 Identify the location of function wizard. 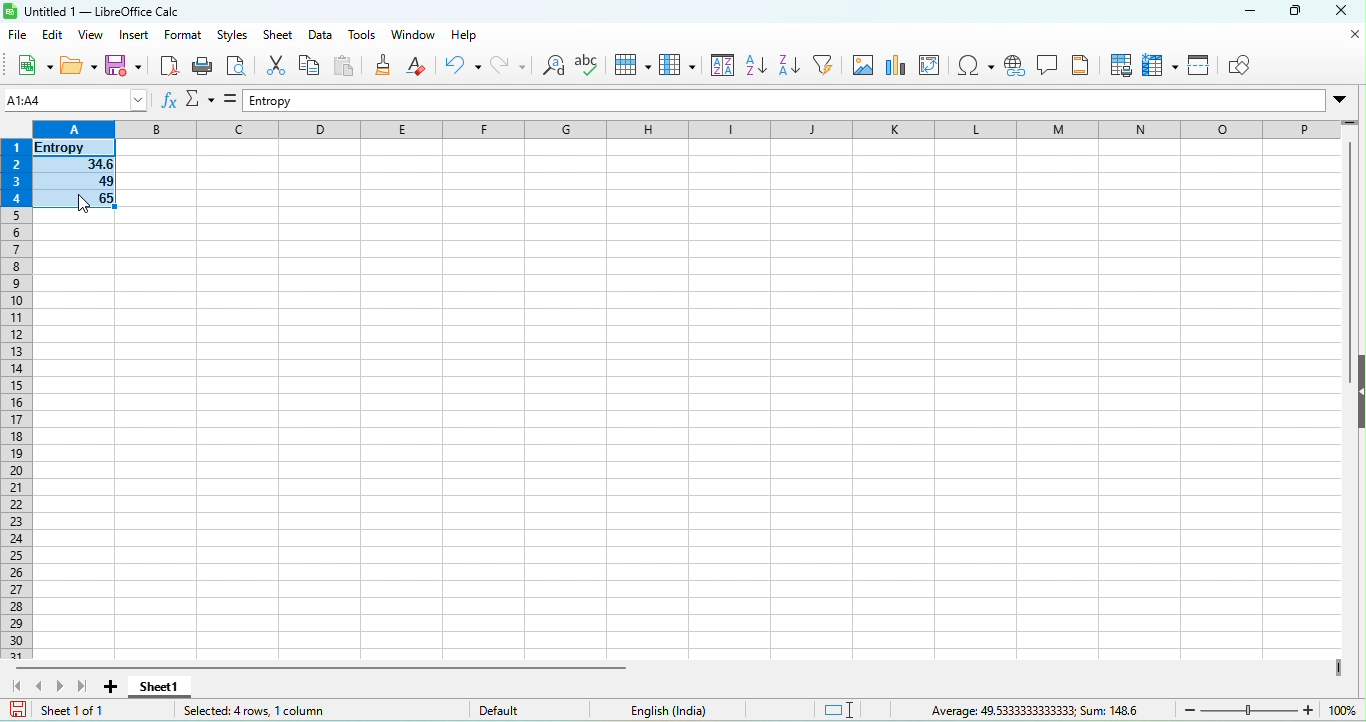
(168, 101).